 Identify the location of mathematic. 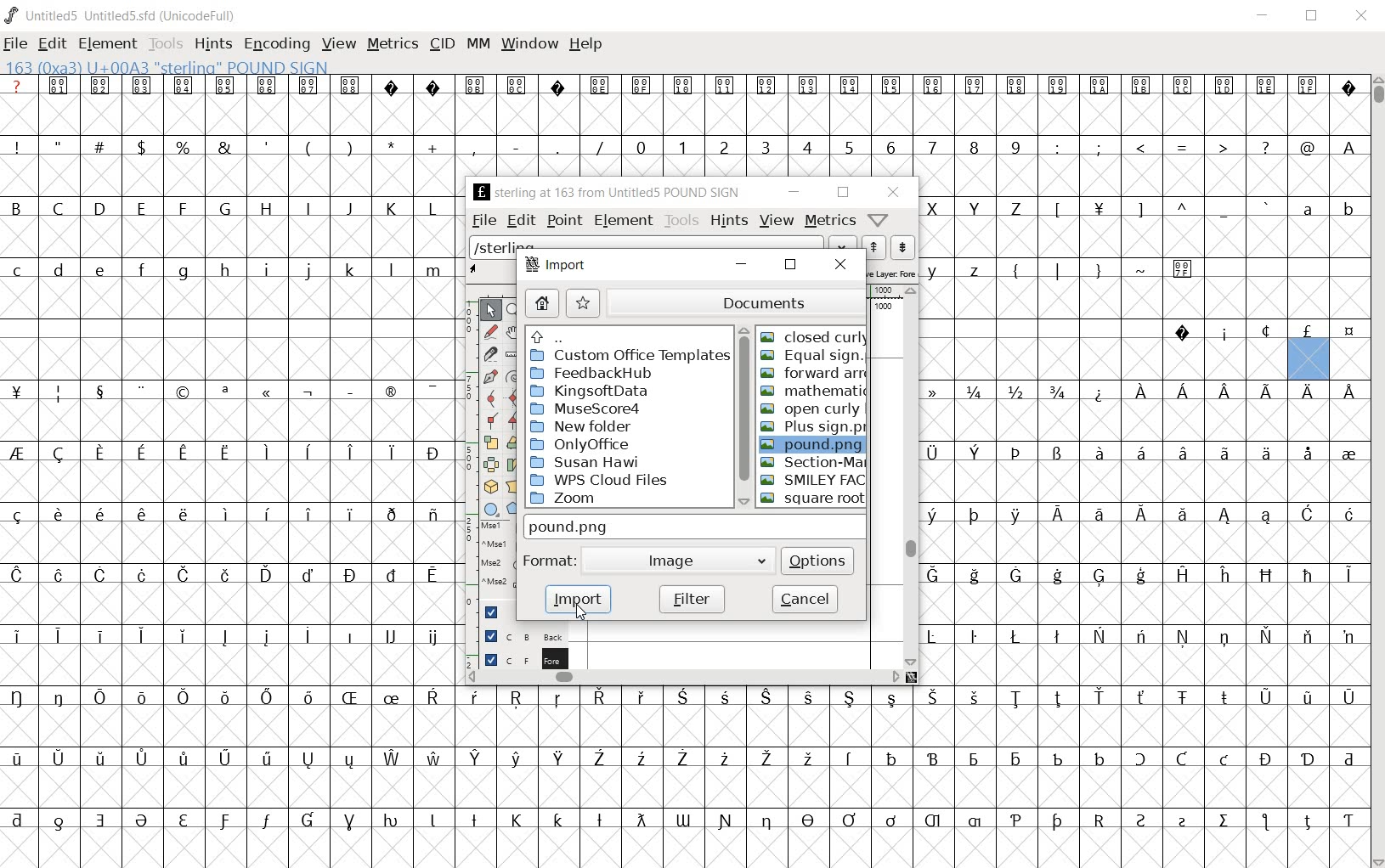
(810, 389).